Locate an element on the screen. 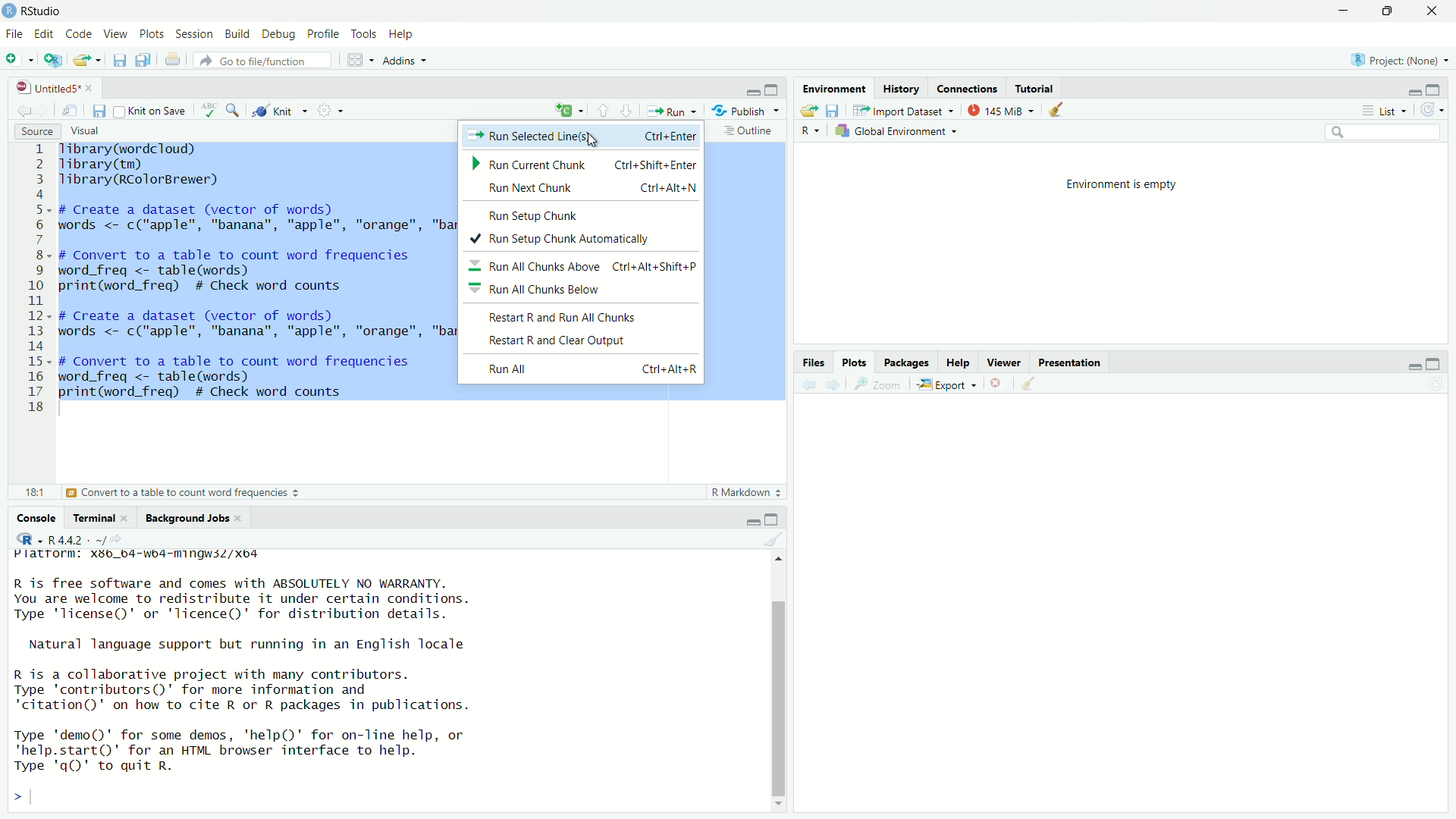 The image size is (1456, 819). minimize is located at coordinates (753, 92).